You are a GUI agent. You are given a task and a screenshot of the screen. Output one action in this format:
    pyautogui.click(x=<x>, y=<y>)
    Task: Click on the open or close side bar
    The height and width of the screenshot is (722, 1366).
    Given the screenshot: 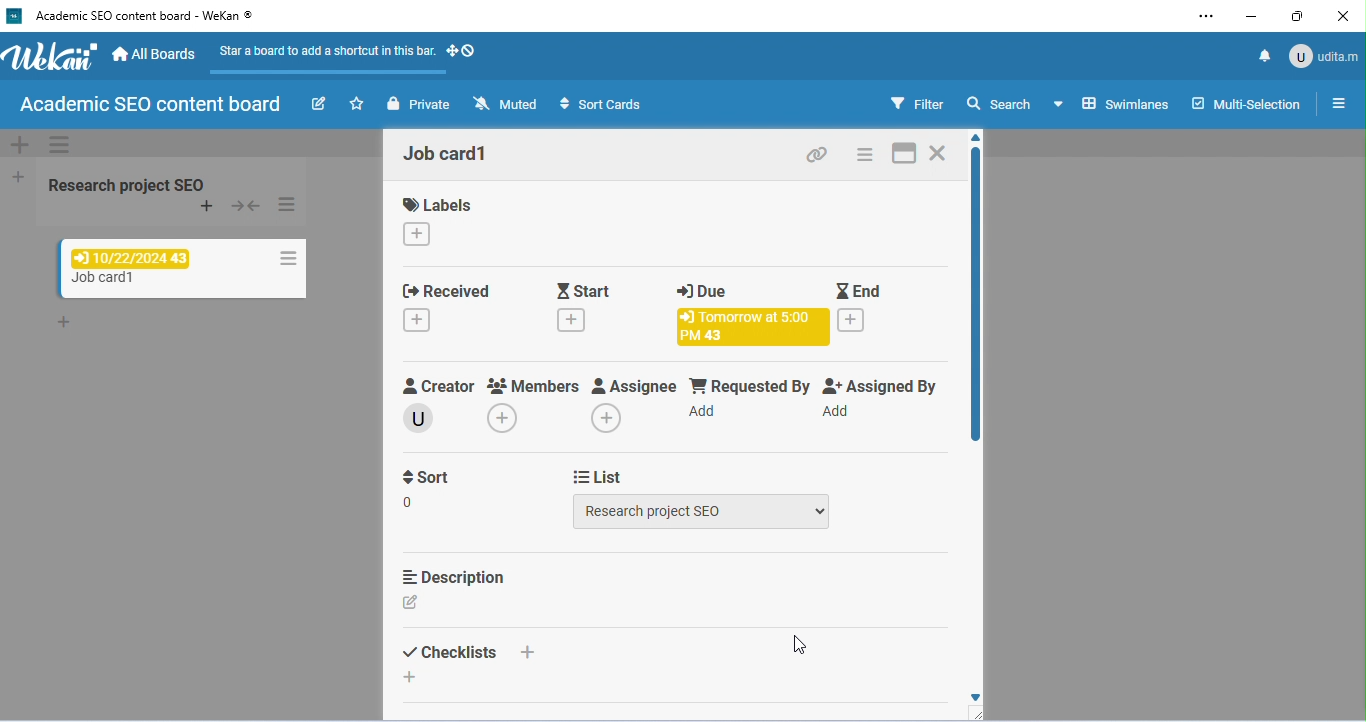 What is the action you would take?
    pyautogui.click(x=1334, y=105)
    